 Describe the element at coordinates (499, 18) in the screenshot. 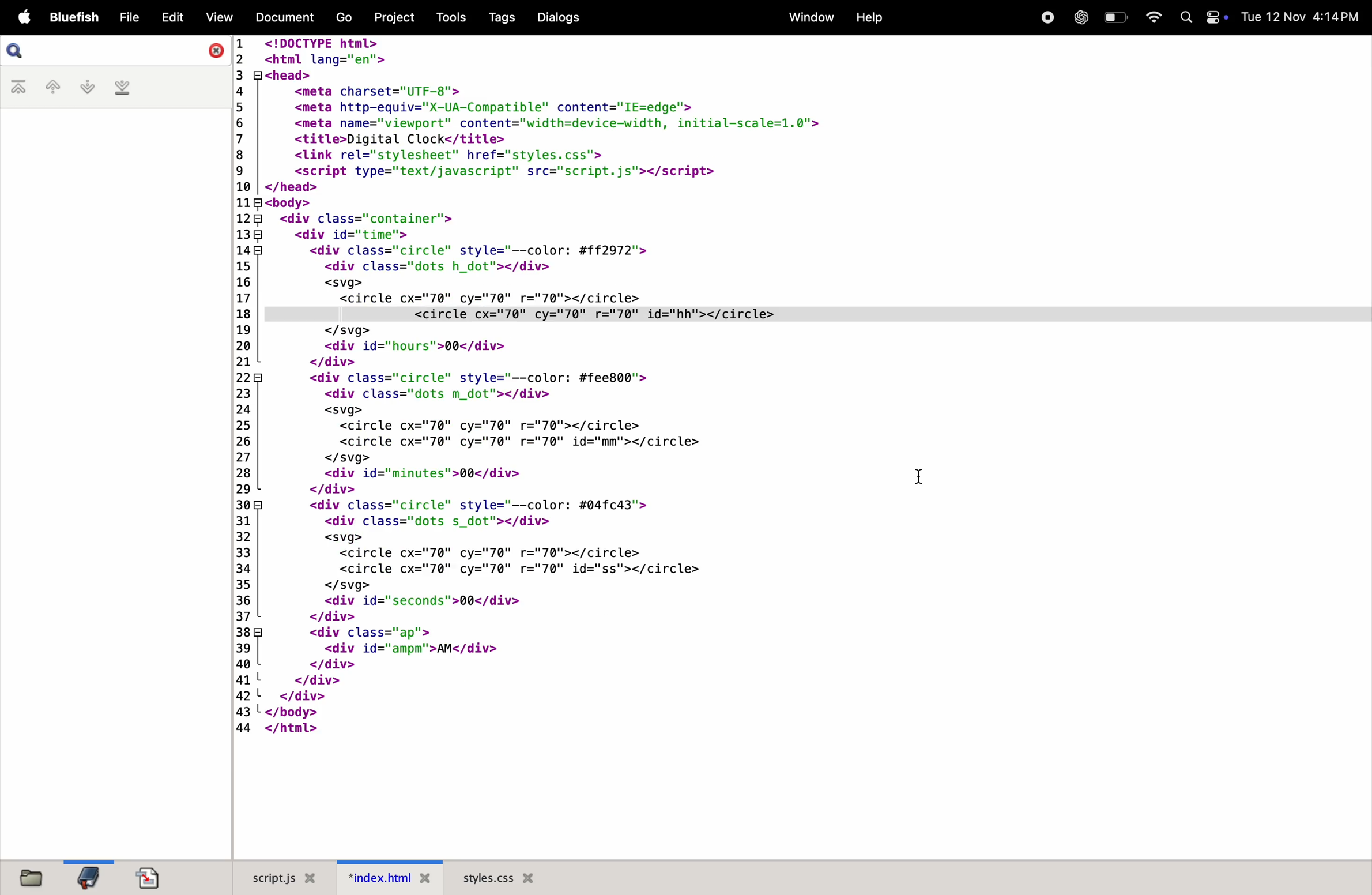

I see `tags` at that location.